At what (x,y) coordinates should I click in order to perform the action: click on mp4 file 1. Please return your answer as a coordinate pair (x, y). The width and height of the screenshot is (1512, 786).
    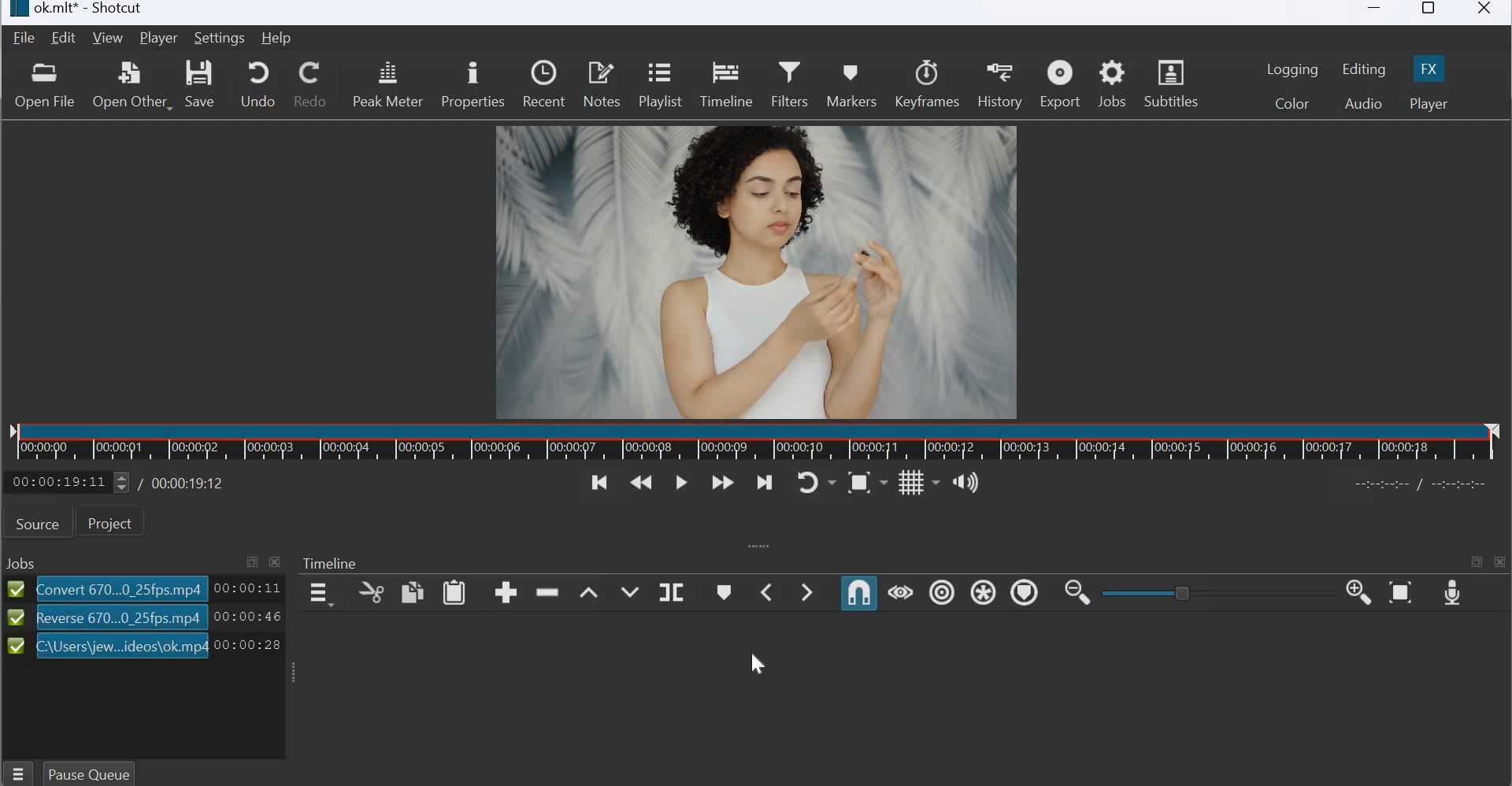
    Looking at the image, I should click on (121, 588).